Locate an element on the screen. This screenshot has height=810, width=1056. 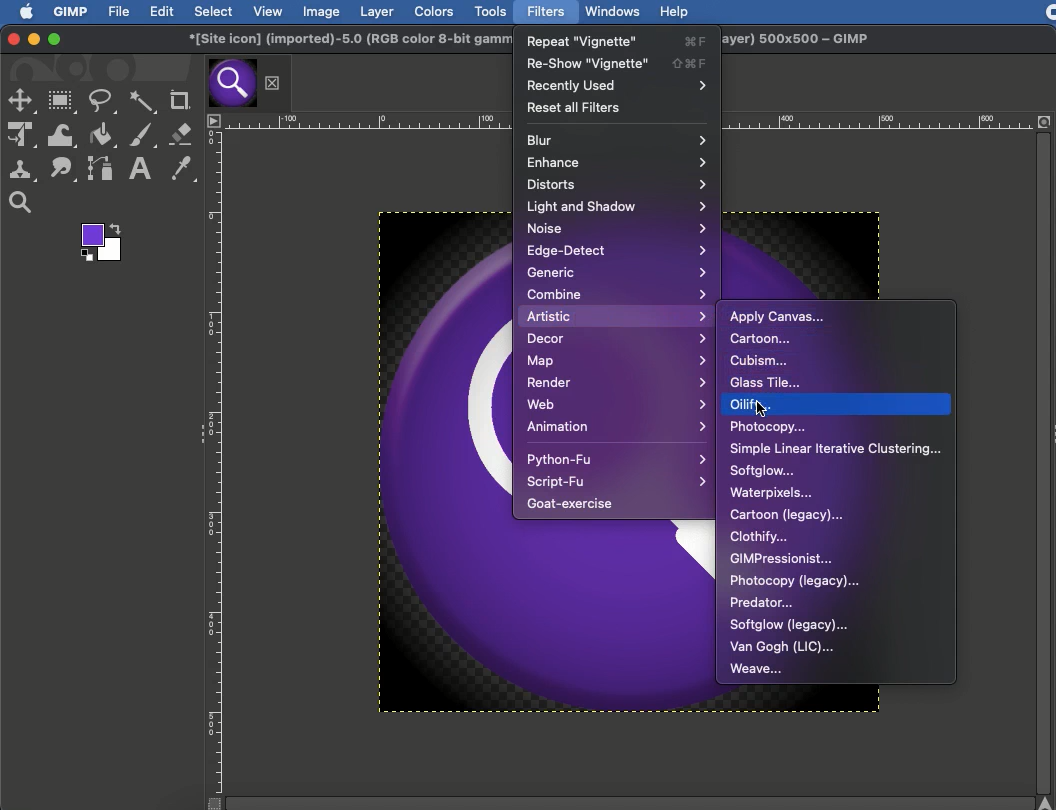
Crop is located at coordinates (178, 98).